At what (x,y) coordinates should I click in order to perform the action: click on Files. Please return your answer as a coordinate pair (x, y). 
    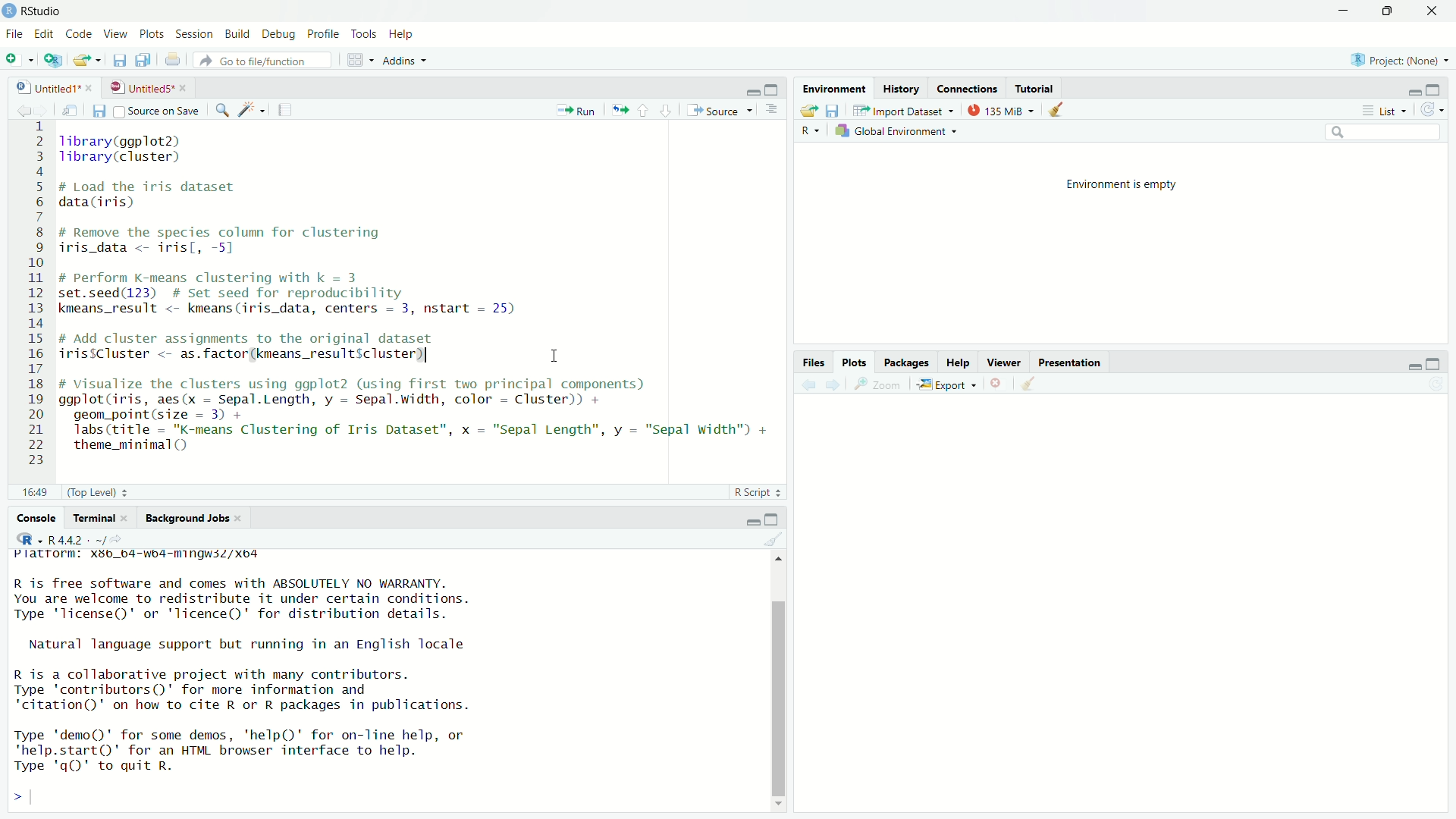
    Looking at the image, I should click on (812, 361).